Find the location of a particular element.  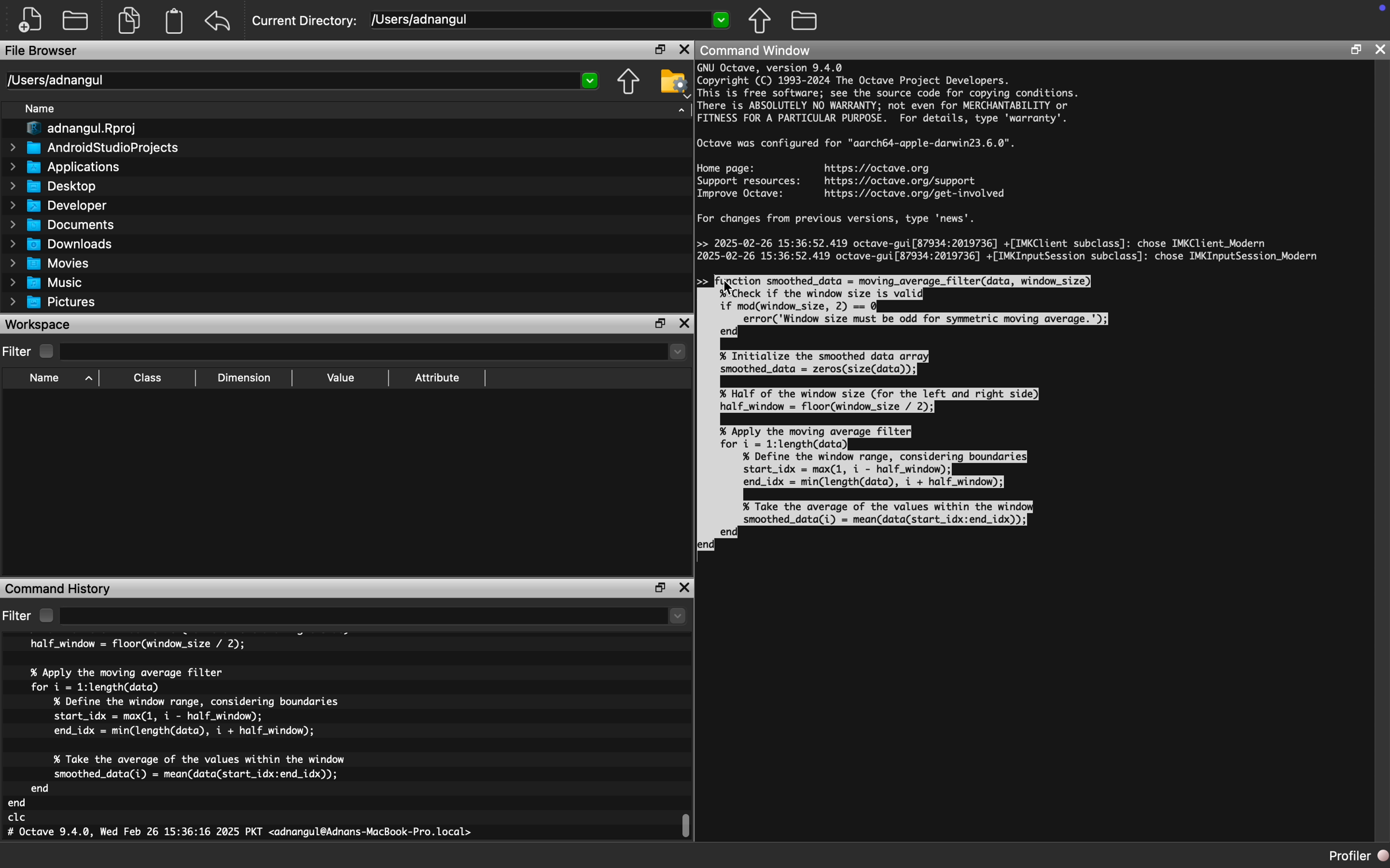

Documents is located at coordinates (64, 226).